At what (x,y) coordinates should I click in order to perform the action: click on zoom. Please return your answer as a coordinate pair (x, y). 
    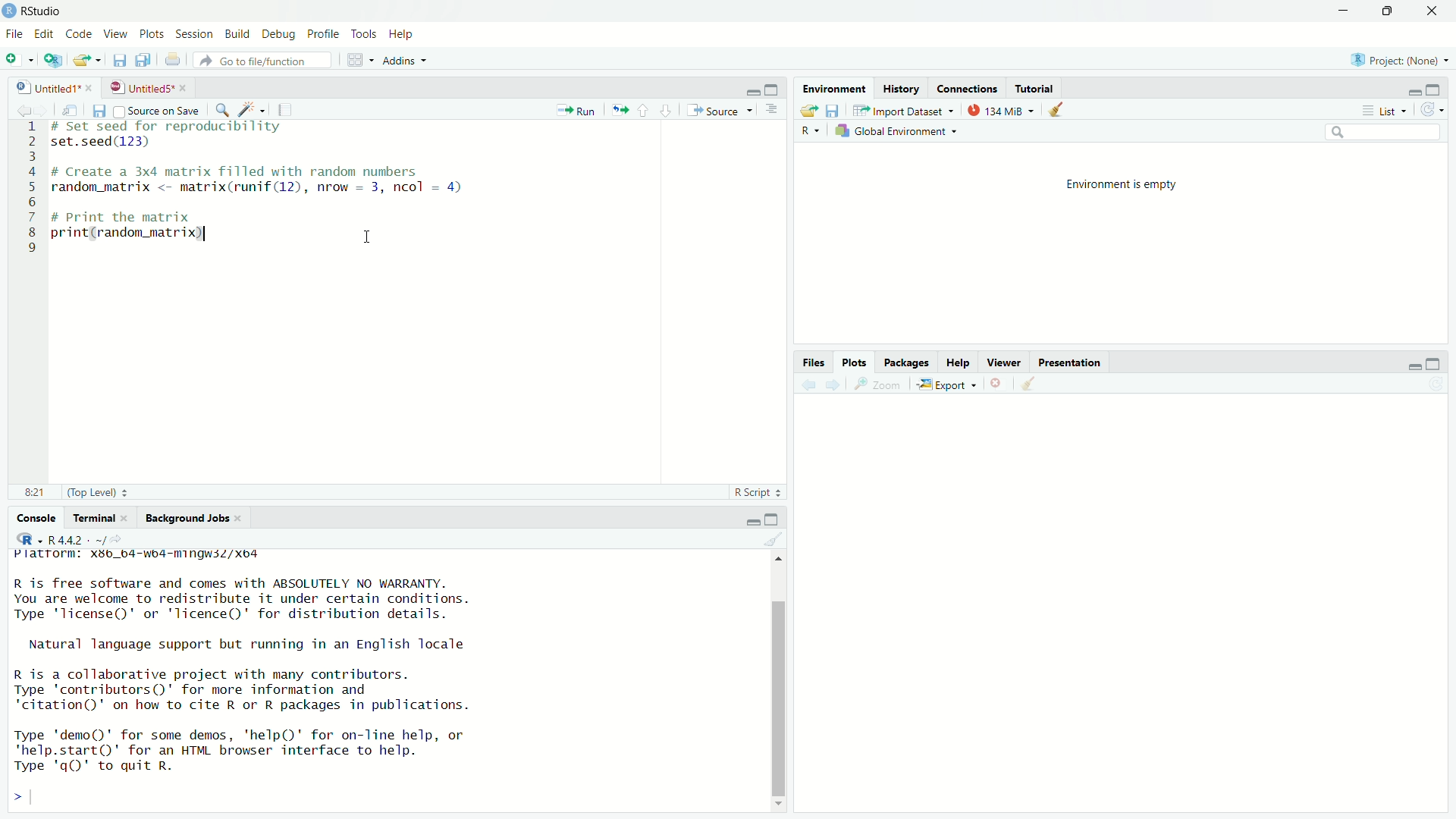
    Looking at the image, I should click on (876, 387).